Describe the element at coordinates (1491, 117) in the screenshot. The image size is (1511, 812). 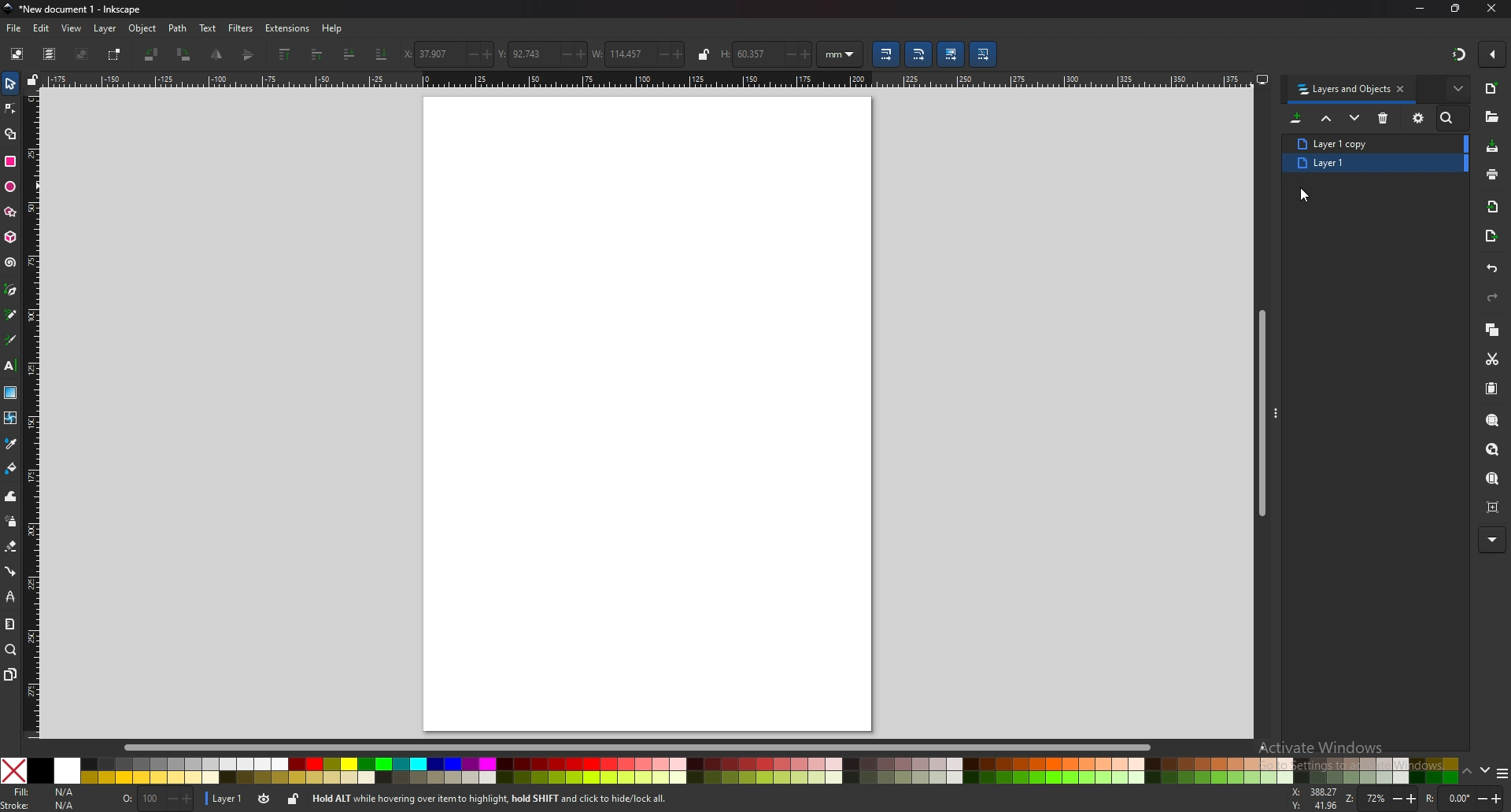
I see `open` at that location.